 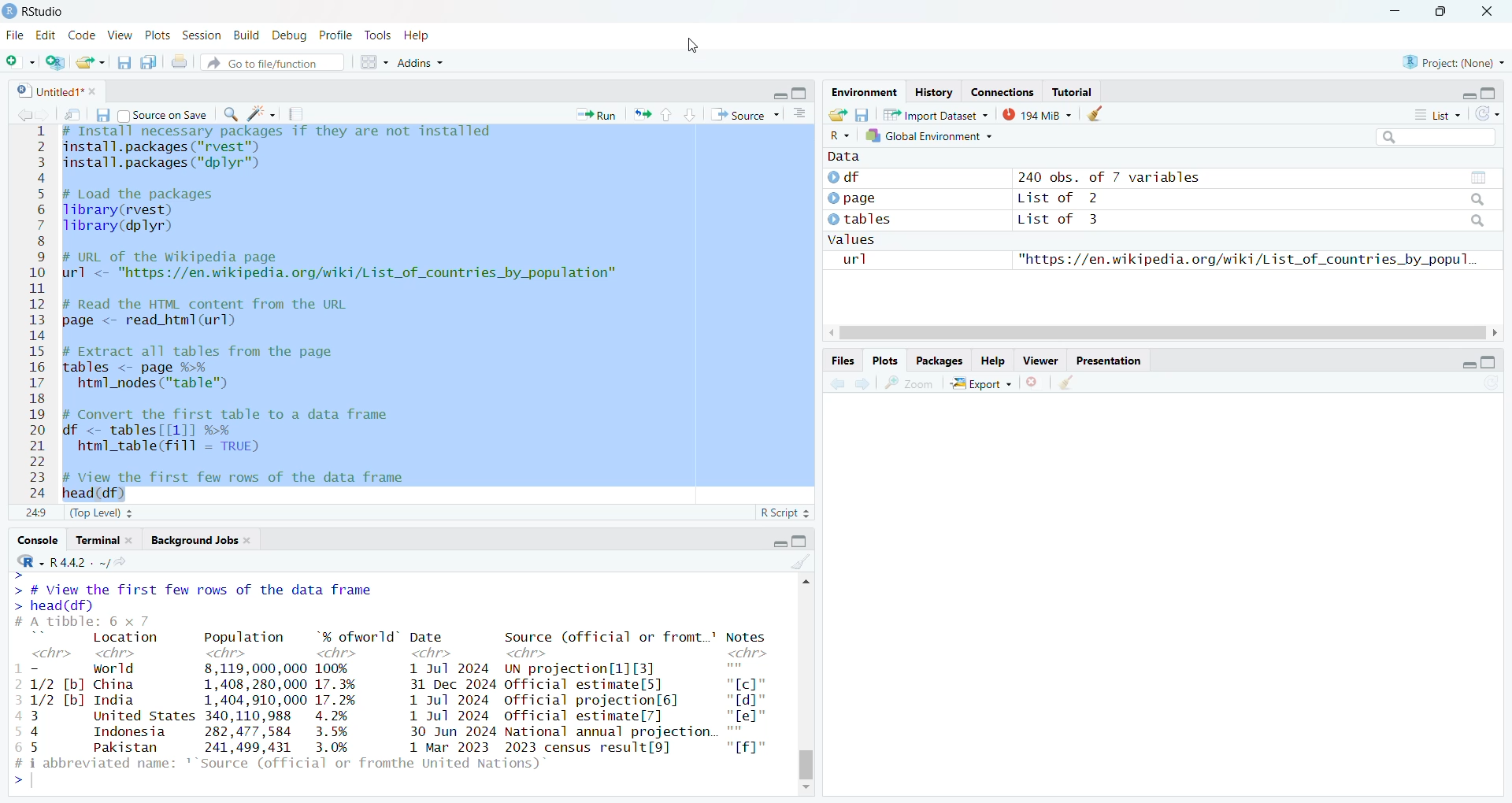 I want to click on # Convert the first table to a data frame df <- tables[[1]] %>% htm1_table(fill = TRUE), so click(x=249, y=433).